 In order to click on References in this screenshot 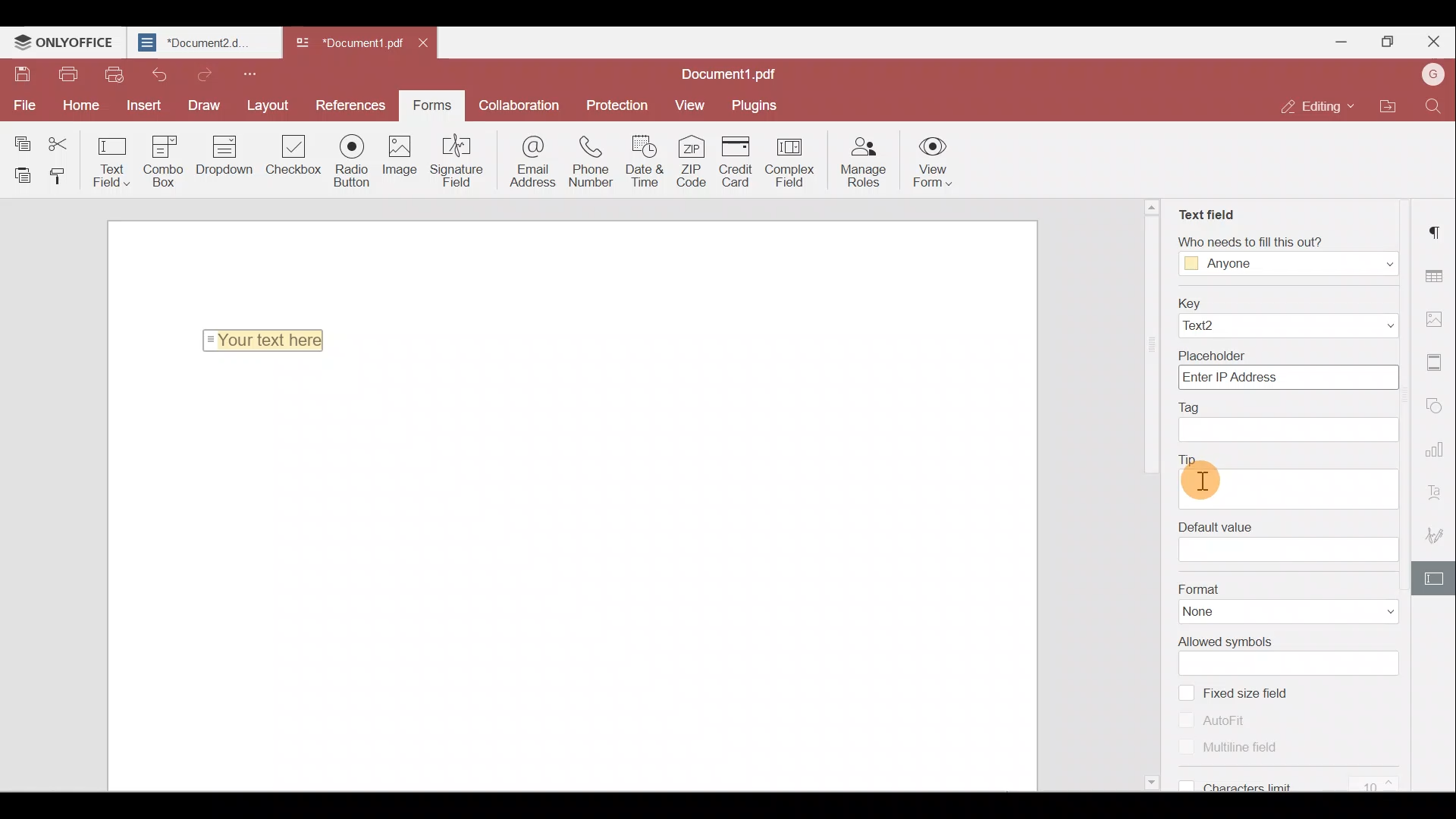, I will do `click(347, 104)`.